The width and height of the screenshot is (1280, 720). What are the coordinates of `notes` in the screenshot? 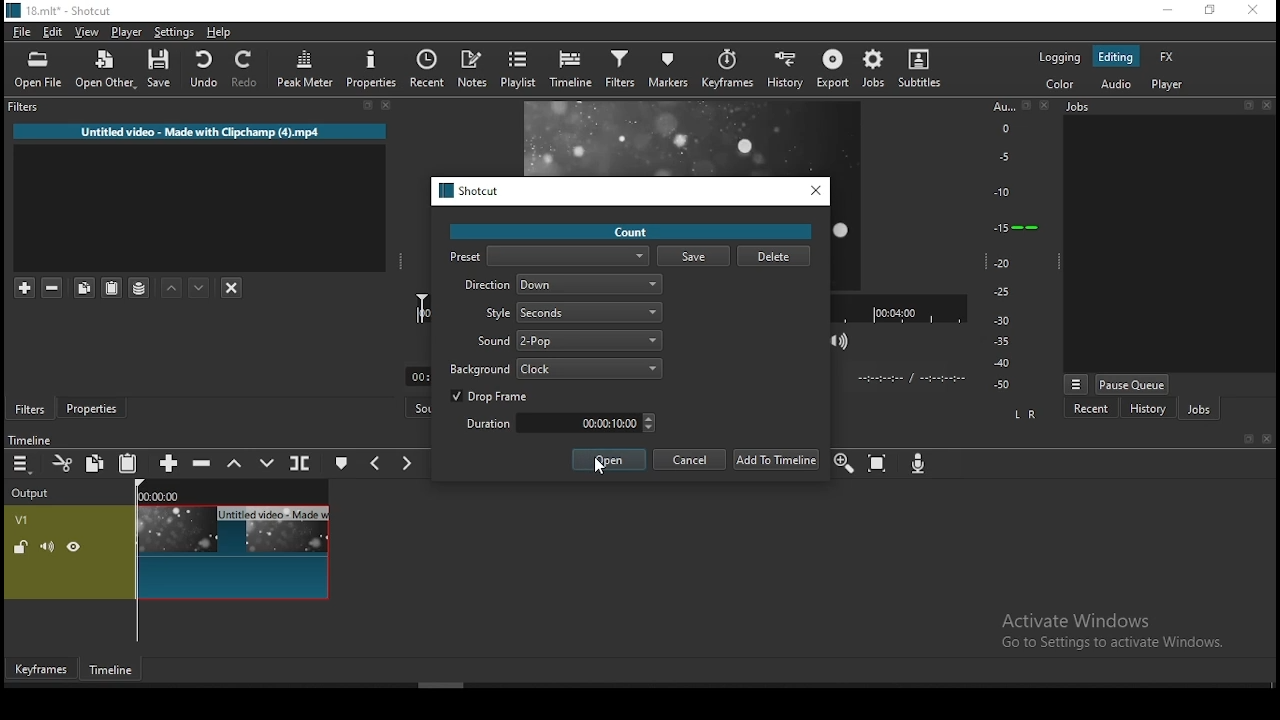 It's located at (476, 67).